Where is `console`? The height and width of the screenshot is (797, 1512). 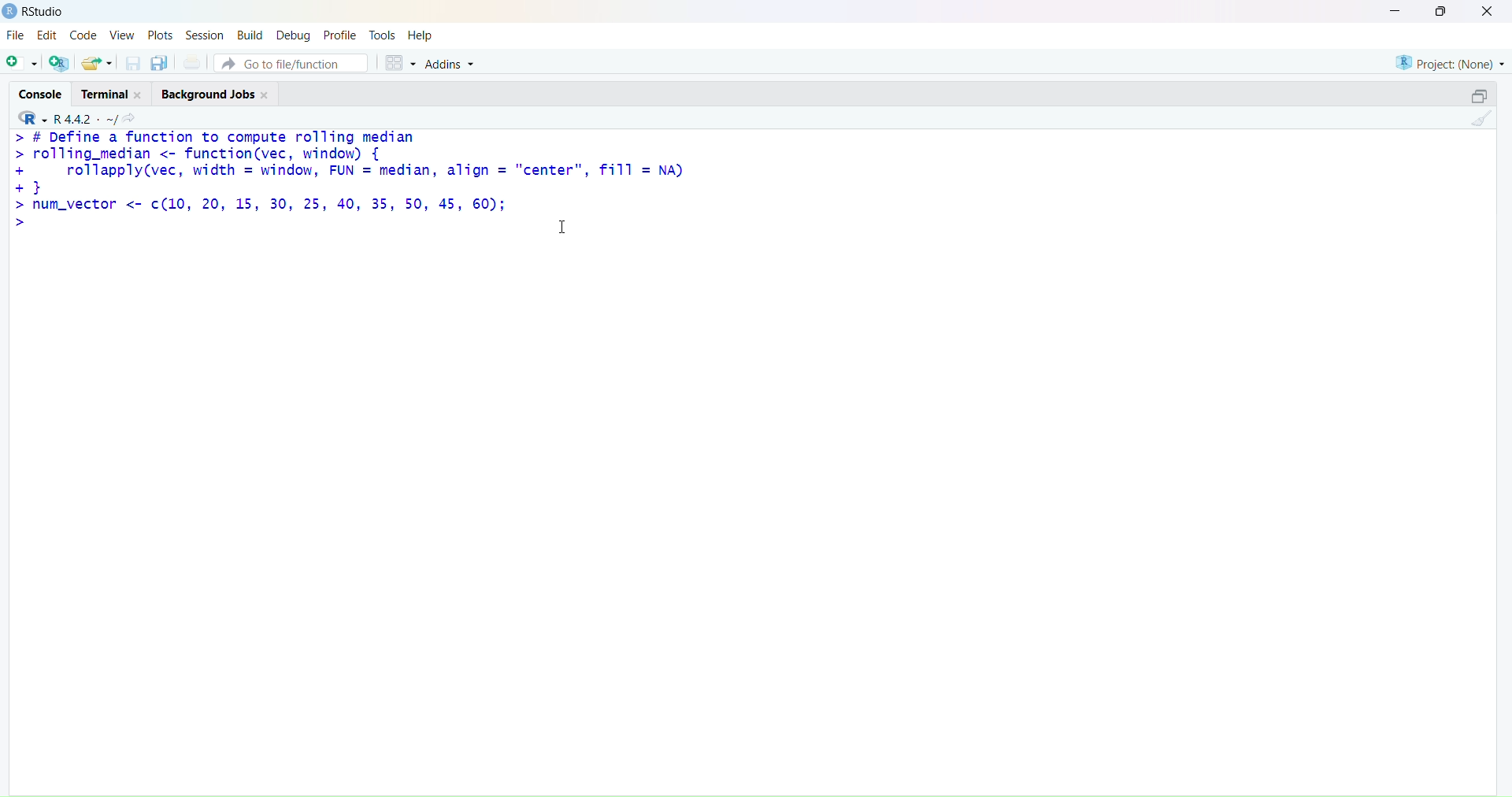
console is located at coordinates (41, 95).